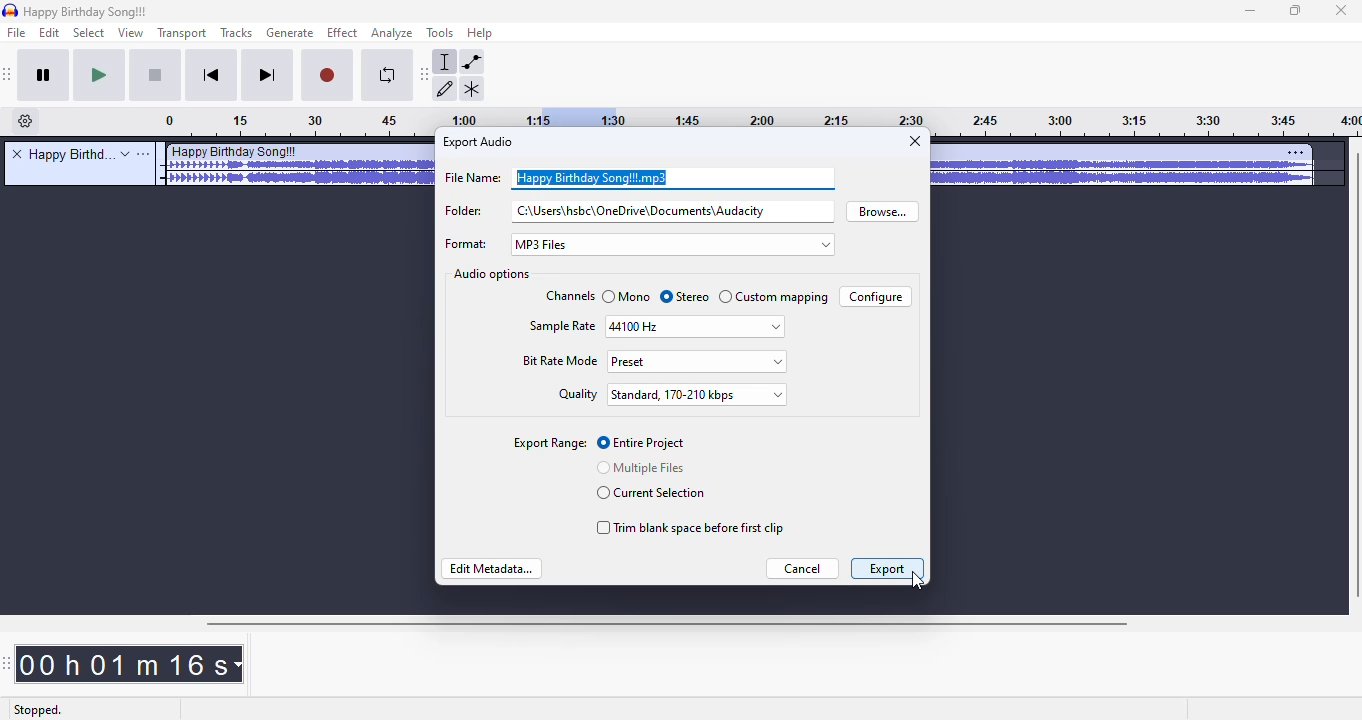 This screenshot has height=720, width=1362. What do you see at coordinates (129, 33) in the screenshot?
I see `view` at bounding box center [129, 33].